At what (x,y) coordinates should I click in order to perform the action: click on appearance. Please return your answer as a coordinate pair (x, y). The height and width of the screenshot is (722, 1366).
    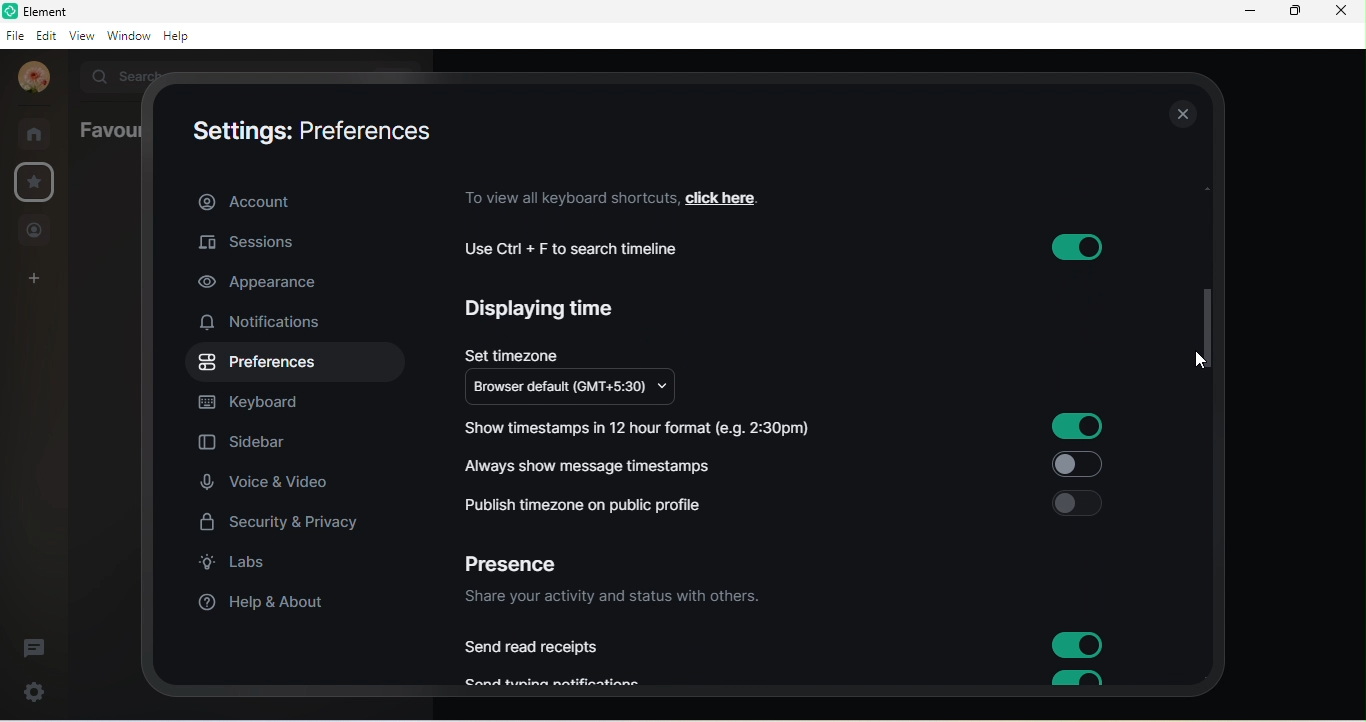
    Looking at the image, I should click on (263, 284).